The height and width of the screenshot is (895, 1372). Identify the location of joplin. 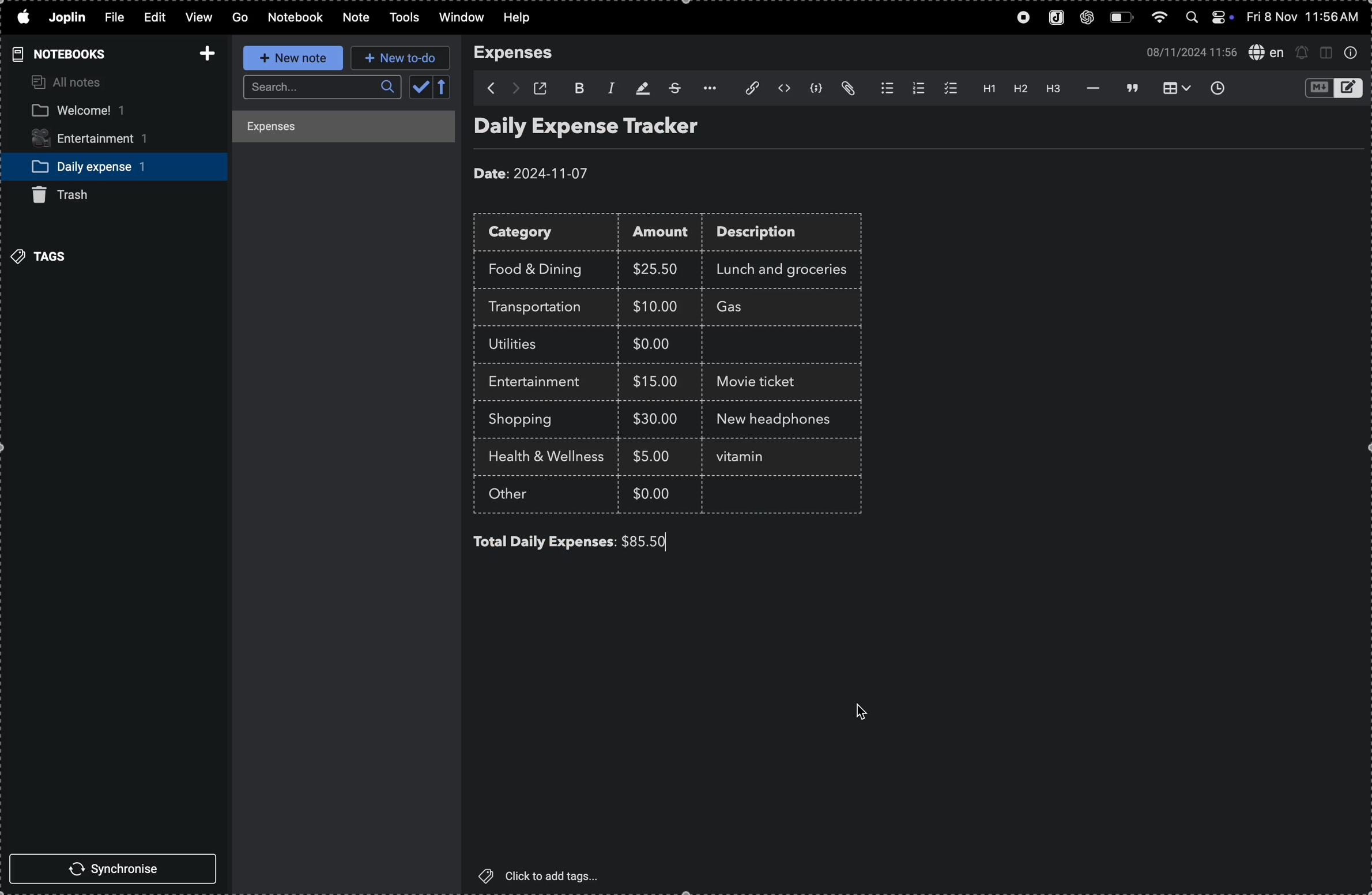
(69, 17).